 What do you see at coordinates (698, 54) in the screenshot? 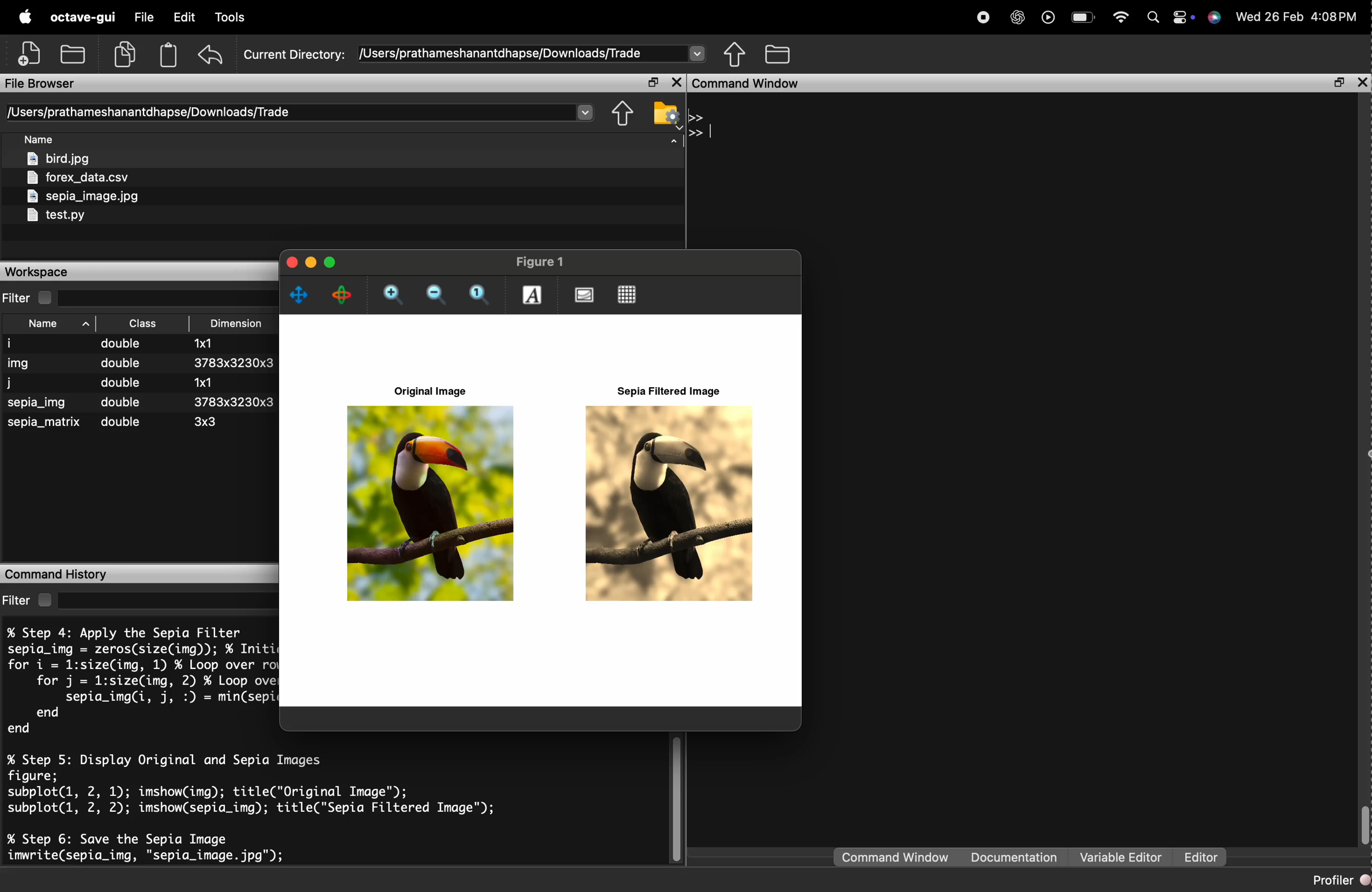
I see `Drop-down ` at bounding box center [698, 54].